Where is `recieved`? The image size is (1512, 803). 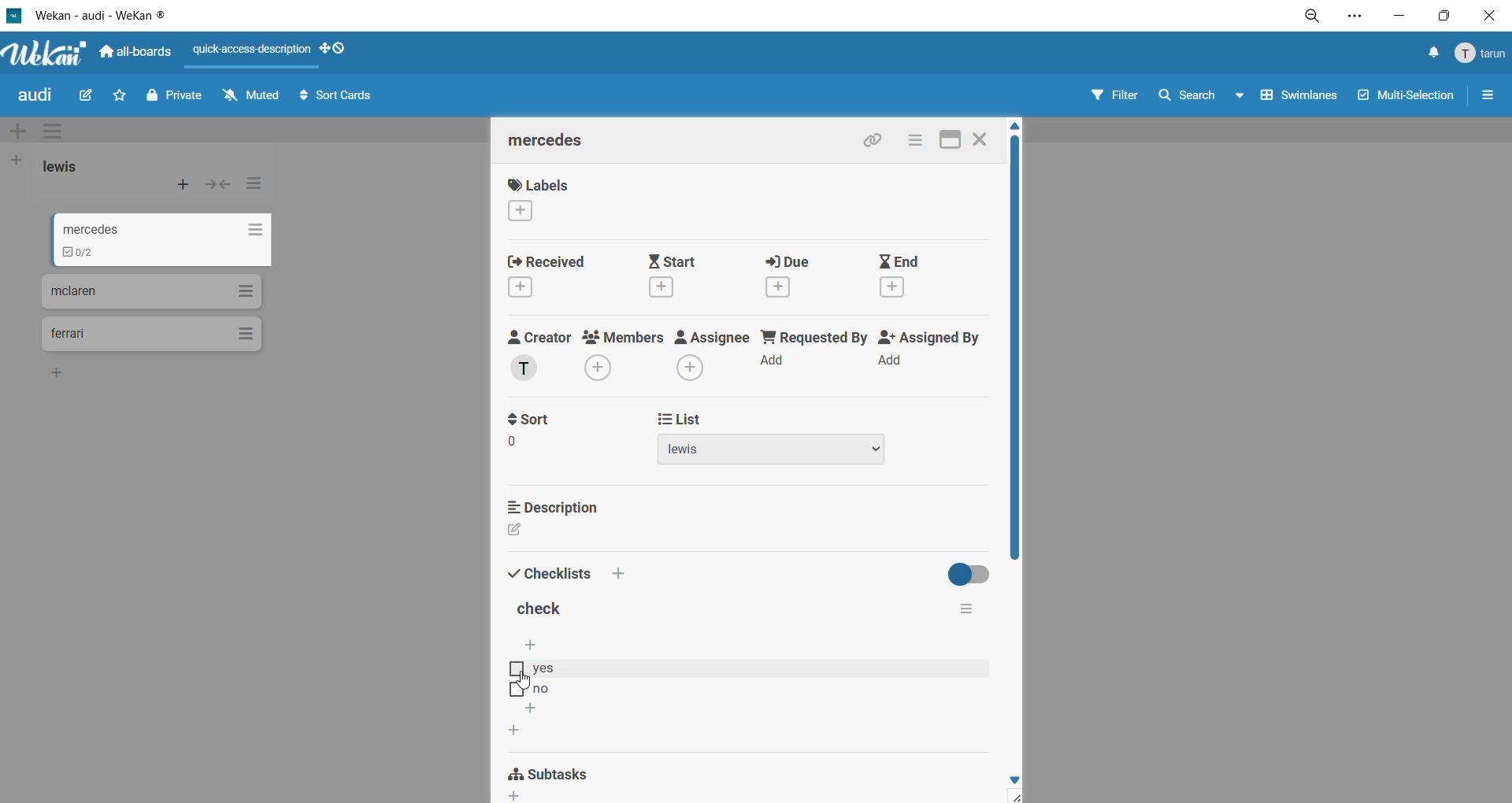 recieved is located at coordinates (566, 276).